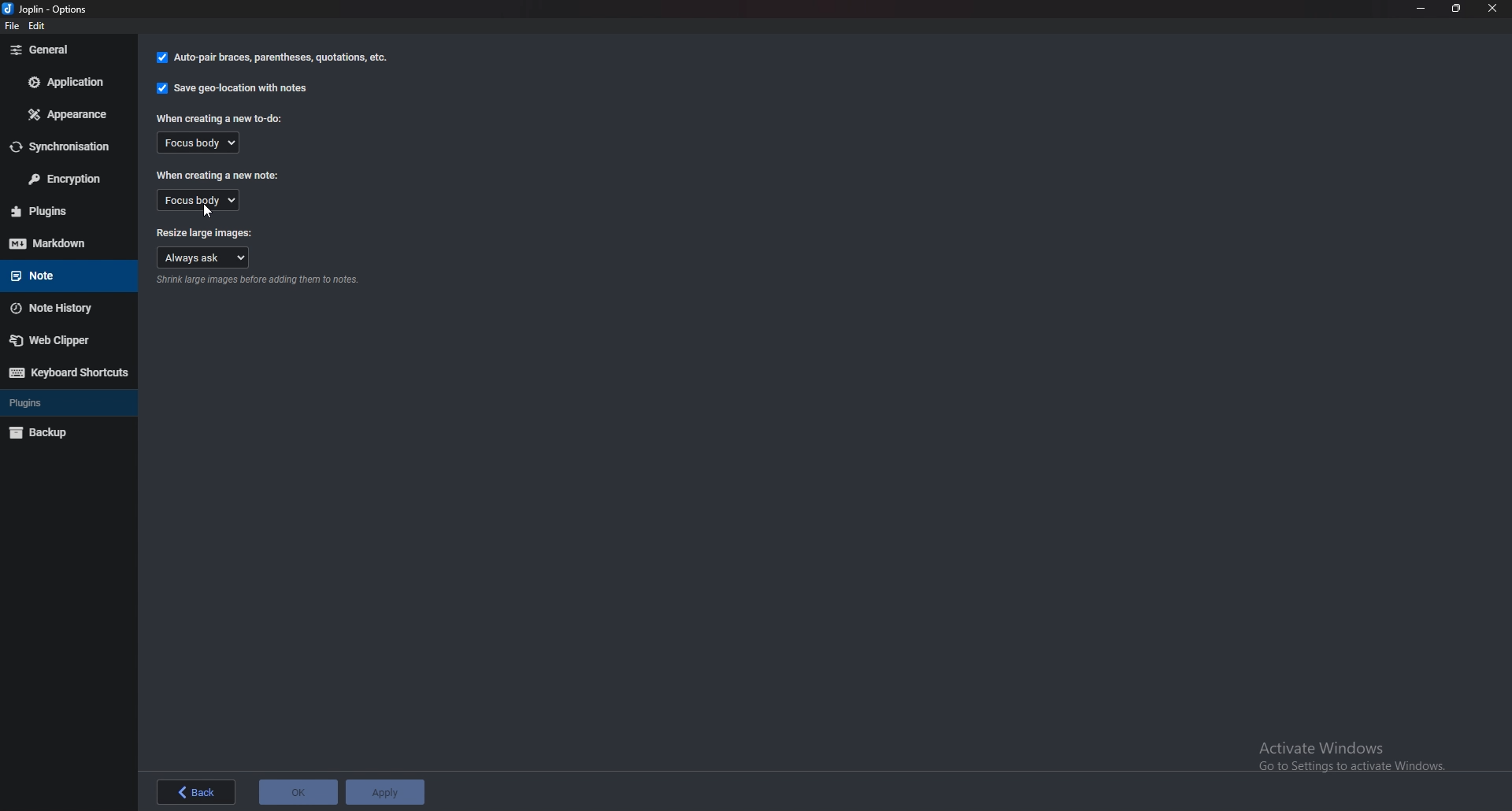  I want to click on Appearance, so click(65, 117).